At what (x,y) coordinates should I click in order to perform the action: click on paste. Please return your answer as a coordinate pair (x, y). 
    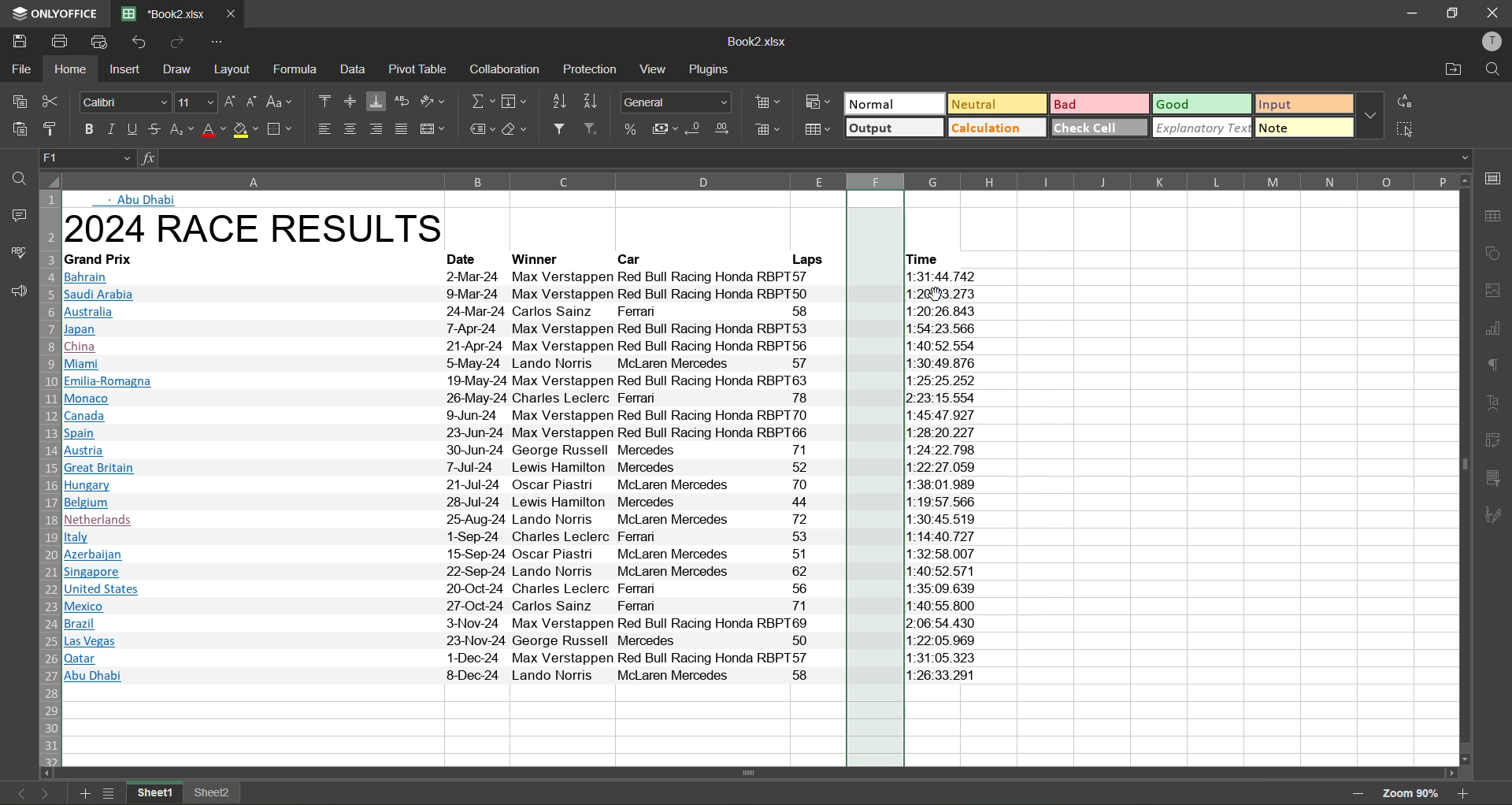
    Looking at the image, I should click on (17, 129).